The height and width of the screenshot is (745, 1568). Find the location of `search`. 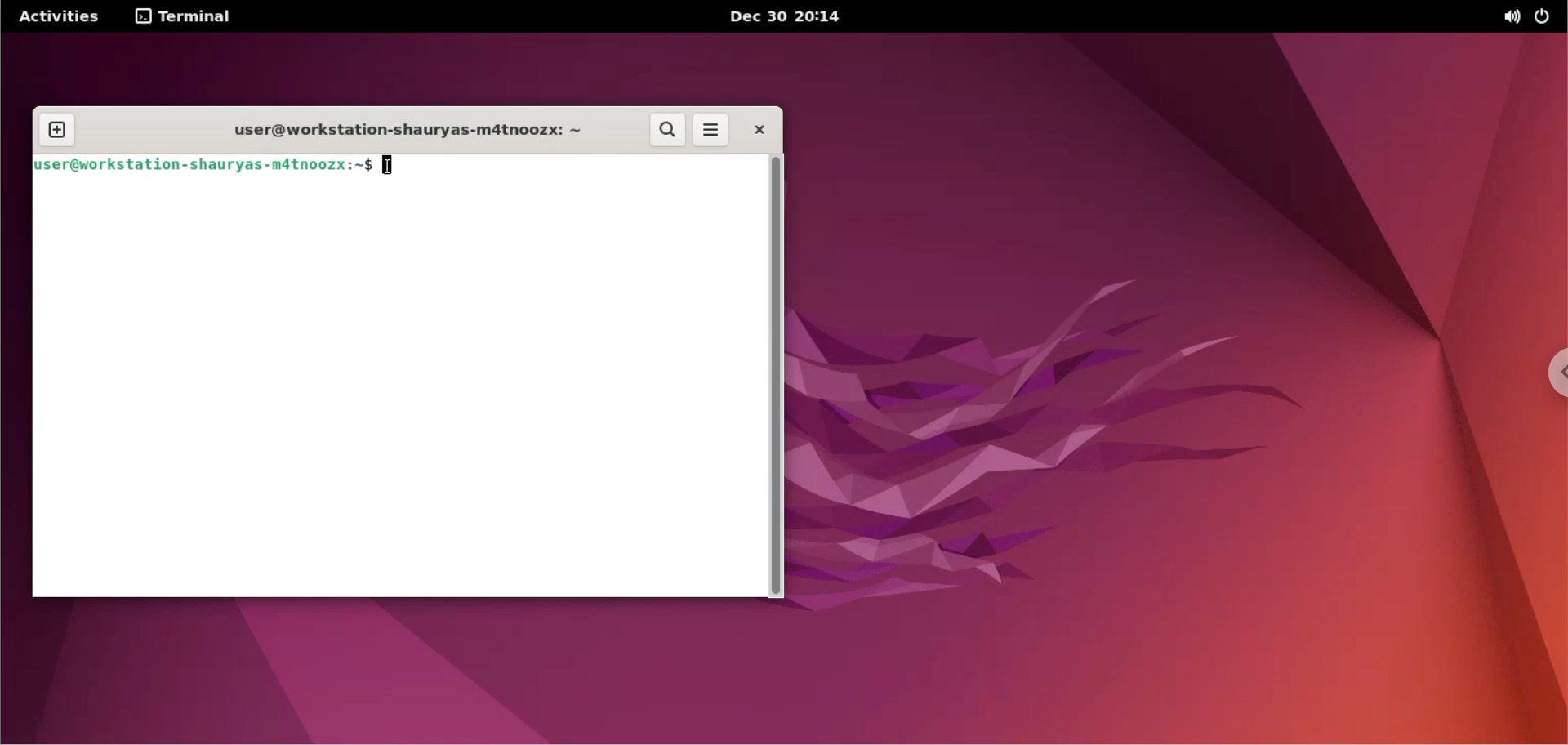

search is located at coordinates (668, 127).